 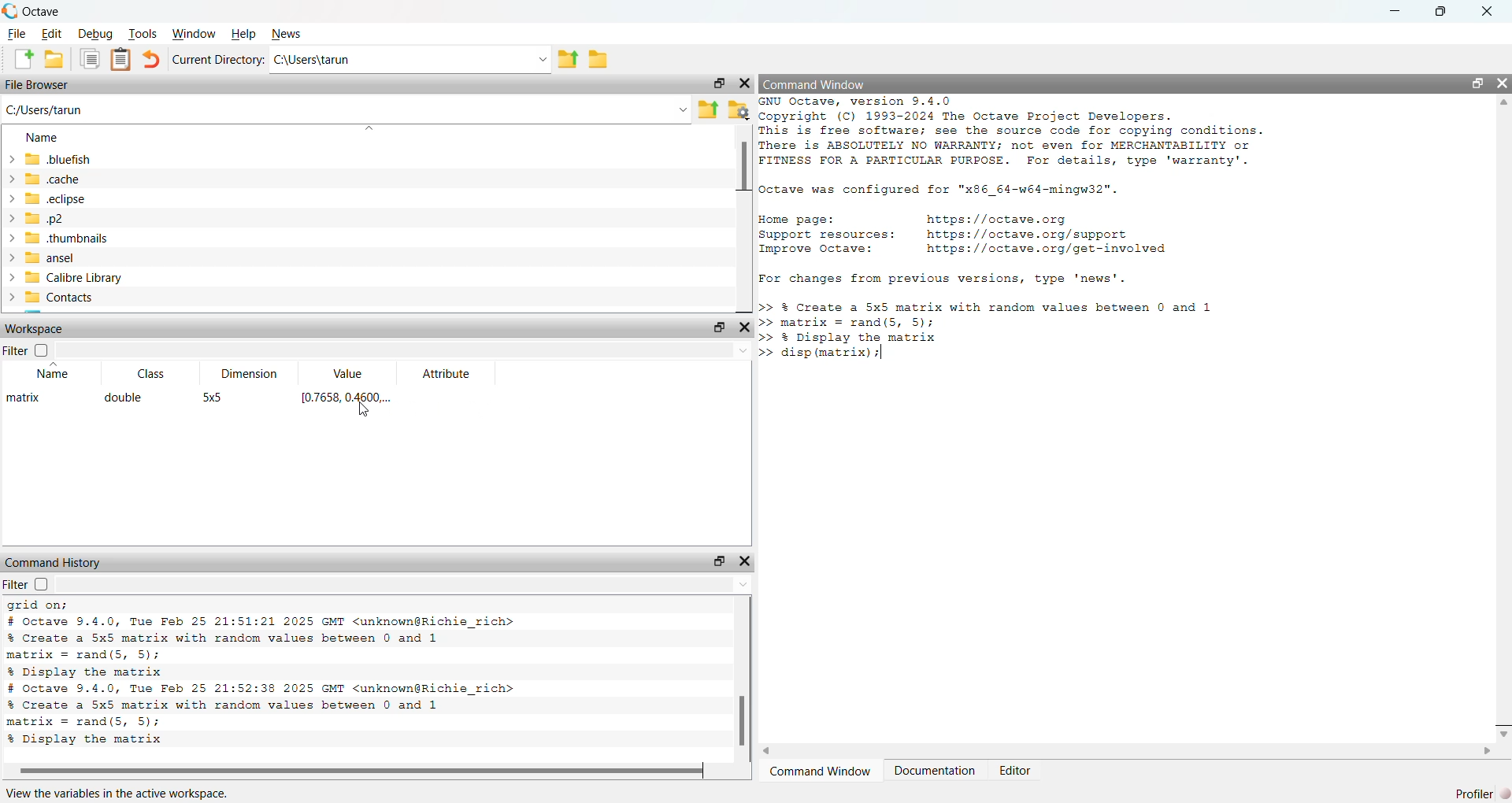 What do you see at coordinates (739, 112) in the screenshot?
I see `settings` at bounding box center [739, 112].